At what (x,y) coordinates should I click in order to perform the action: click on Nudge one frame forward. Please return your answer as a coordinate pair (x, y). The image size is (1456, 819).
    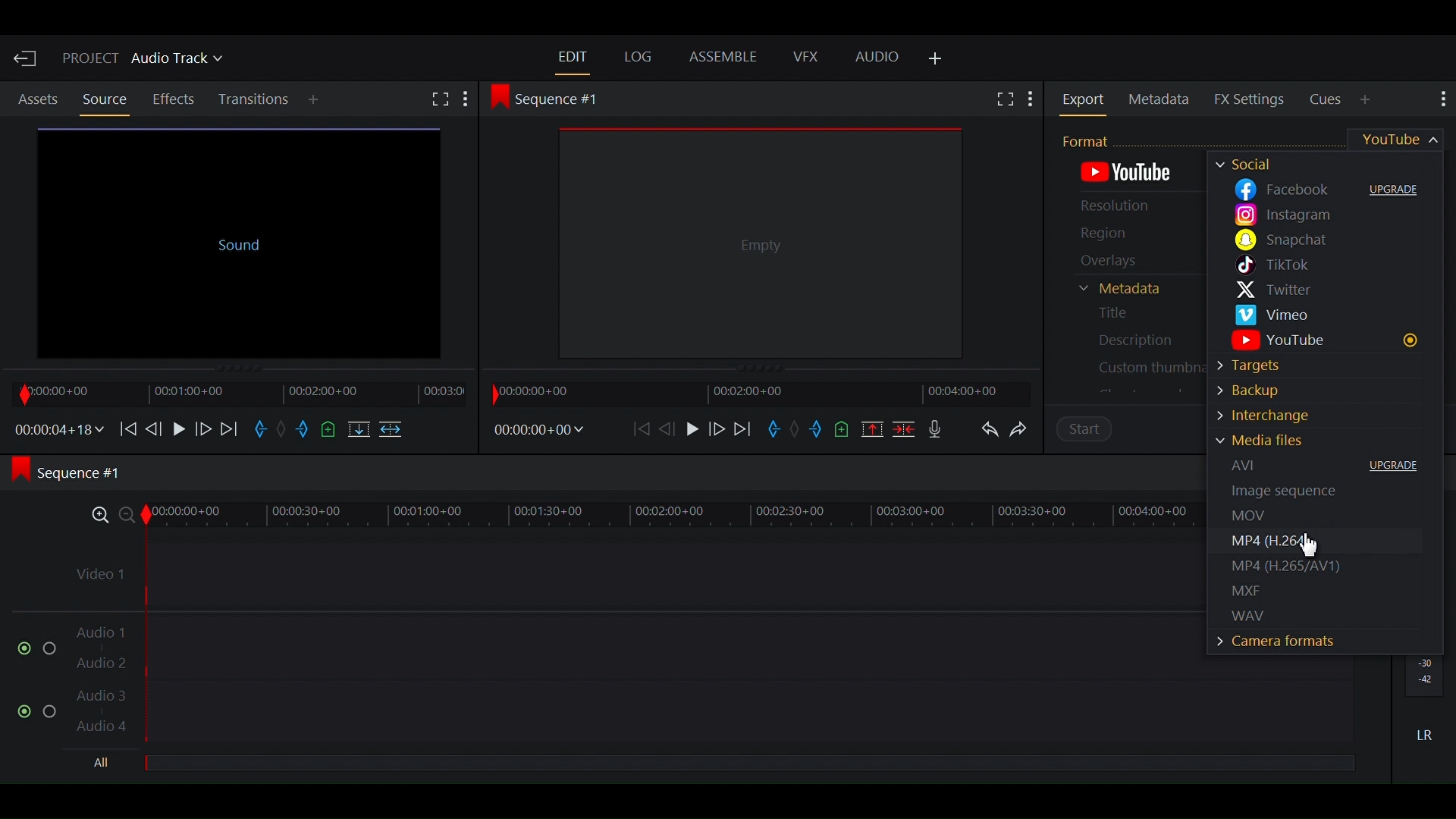
    Looking at the image, I should click on (716, 429).